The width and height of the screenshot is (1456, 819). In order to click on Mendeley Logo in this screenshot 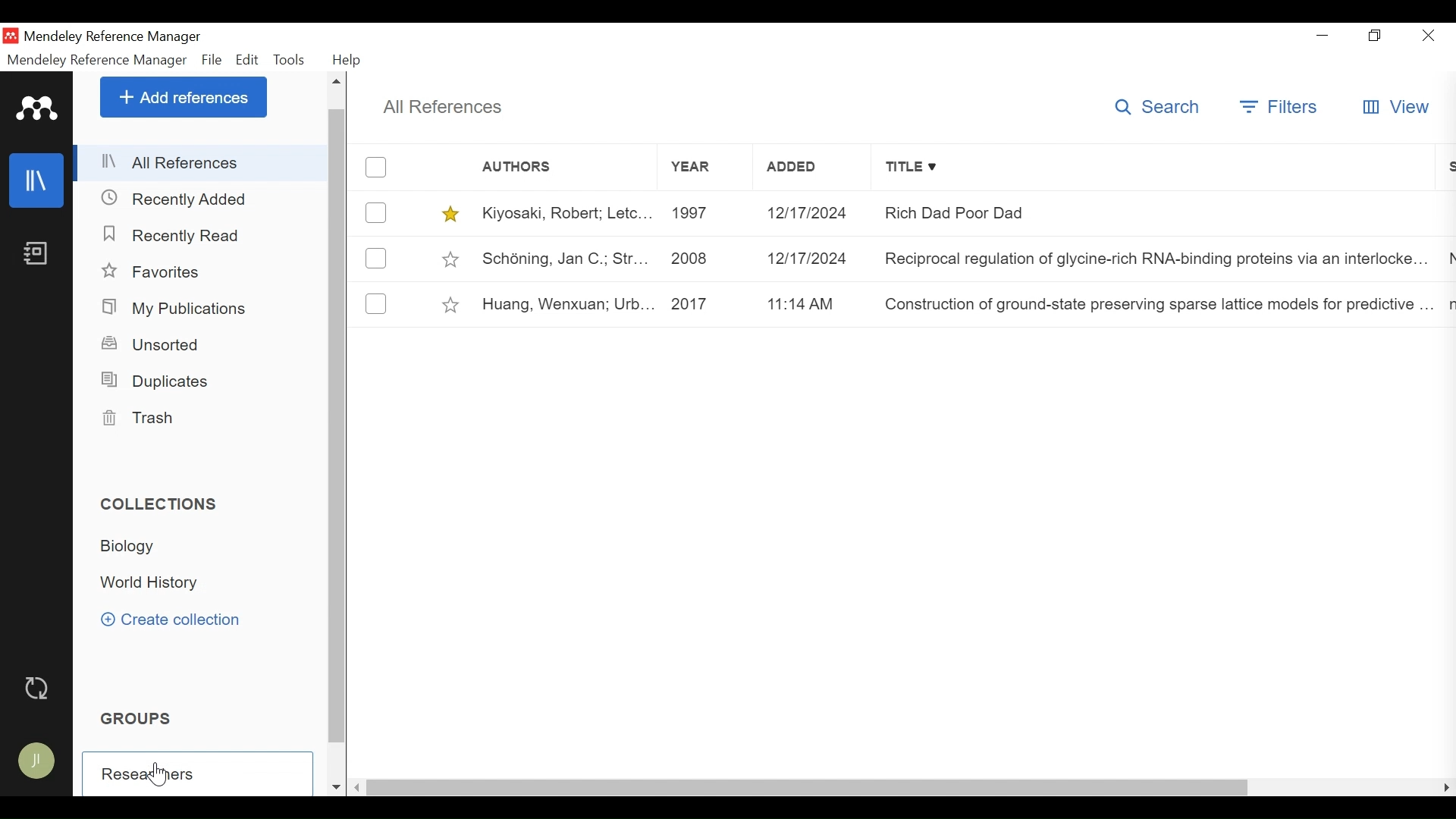, I will do `click(37, 108)`.